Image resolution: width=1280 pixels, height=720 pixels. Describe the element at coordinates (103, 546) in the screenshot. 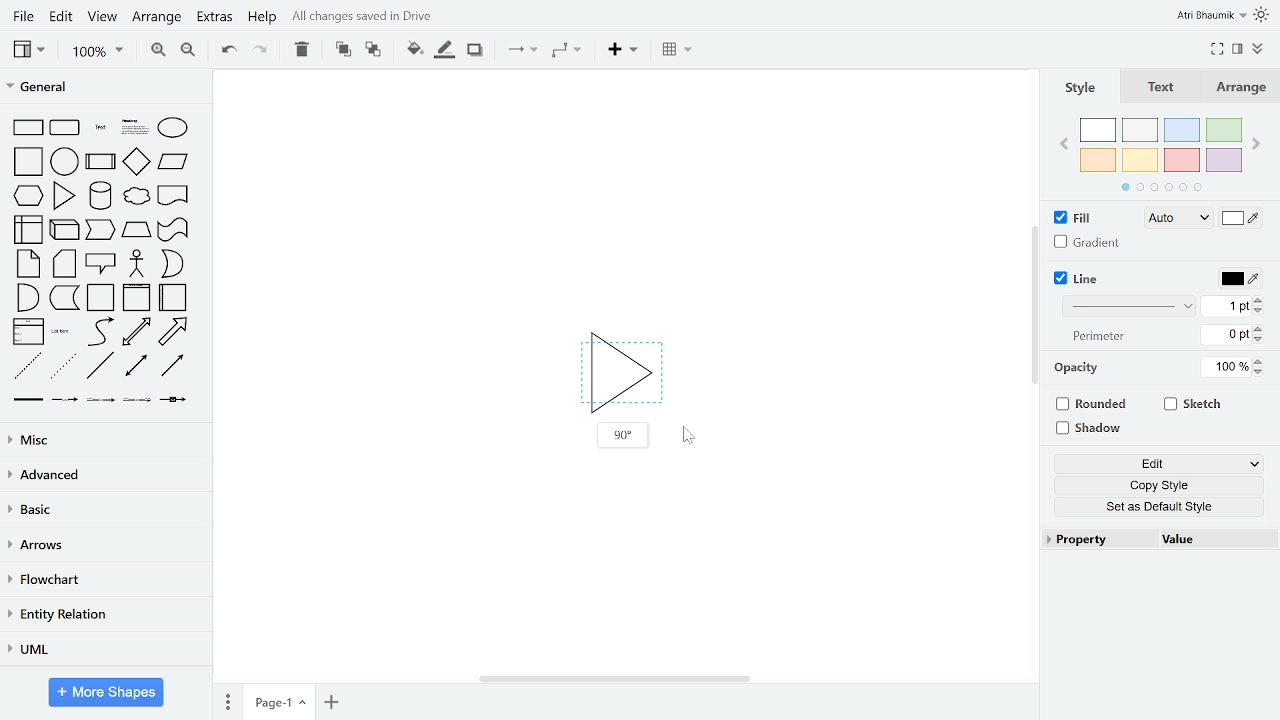

I see `arrows` at that location.